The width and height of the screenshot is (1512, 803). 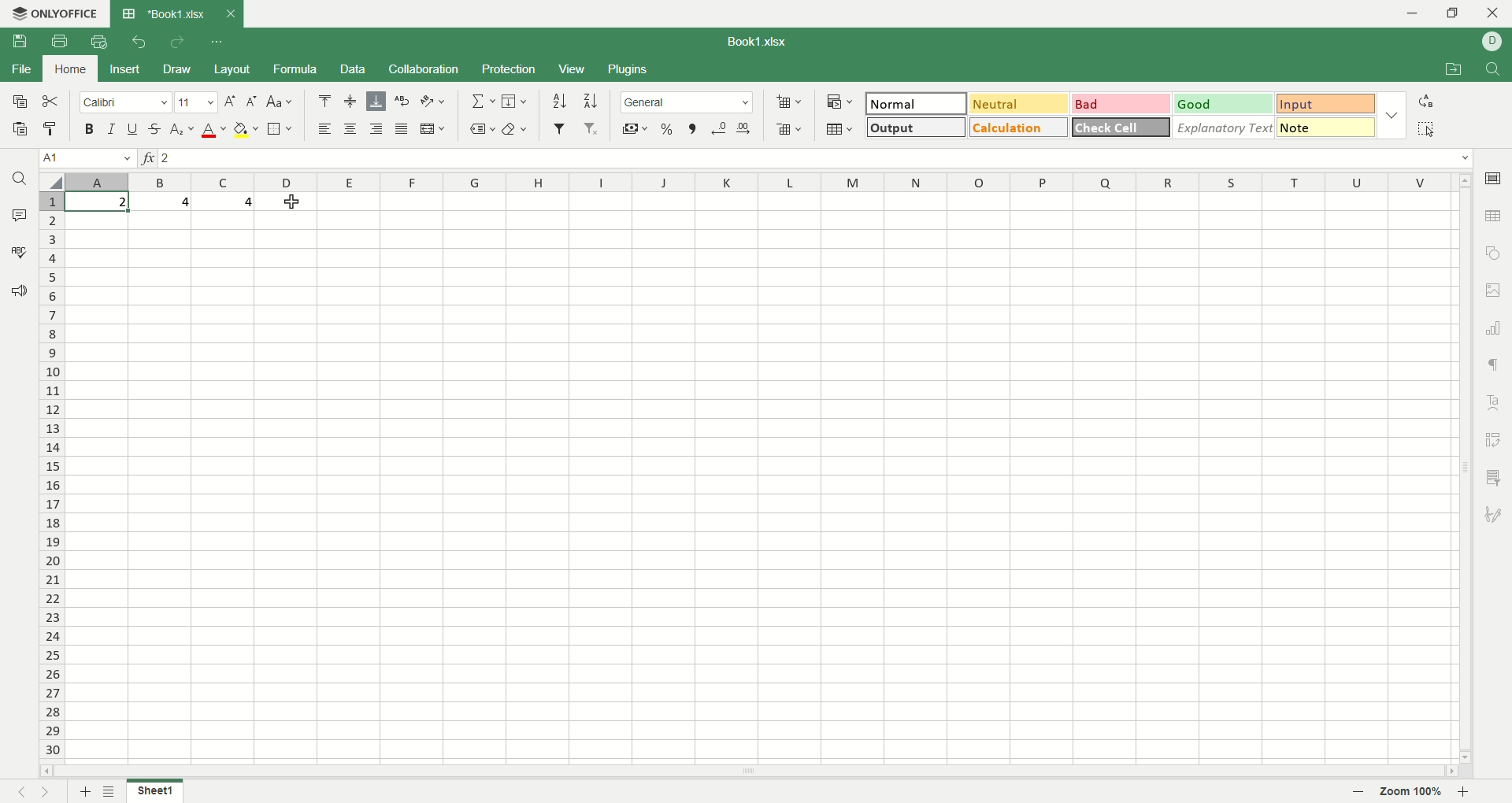 What do you see at coordinates (759, 39) in the screenshot?
I see `TITLE` at bounding box center [759, 39].